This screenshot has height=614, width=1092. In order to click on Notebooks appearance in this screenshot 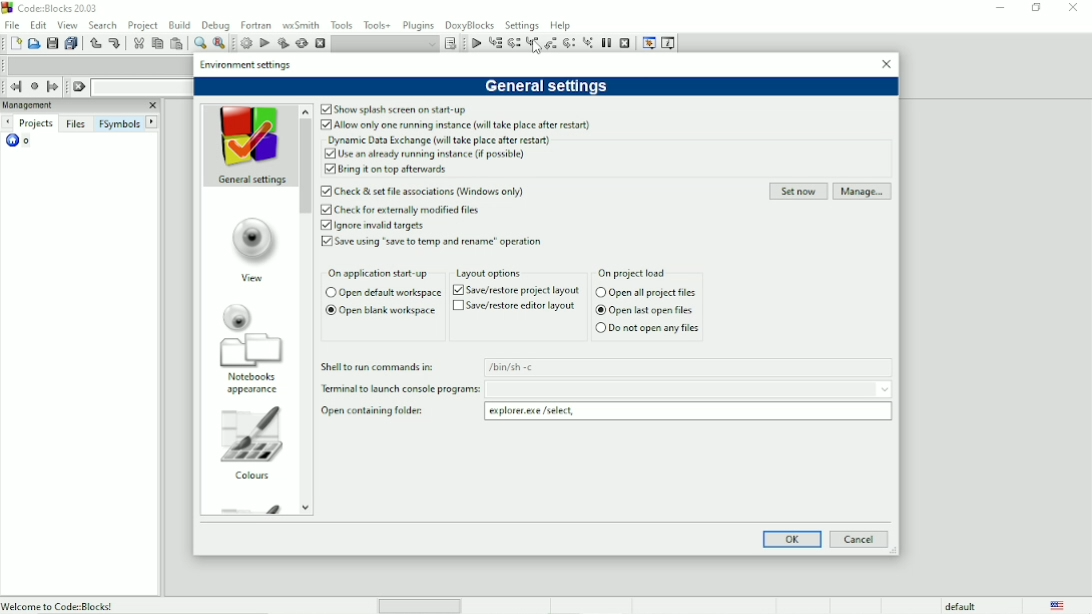, I will do `click(249, 350)`.